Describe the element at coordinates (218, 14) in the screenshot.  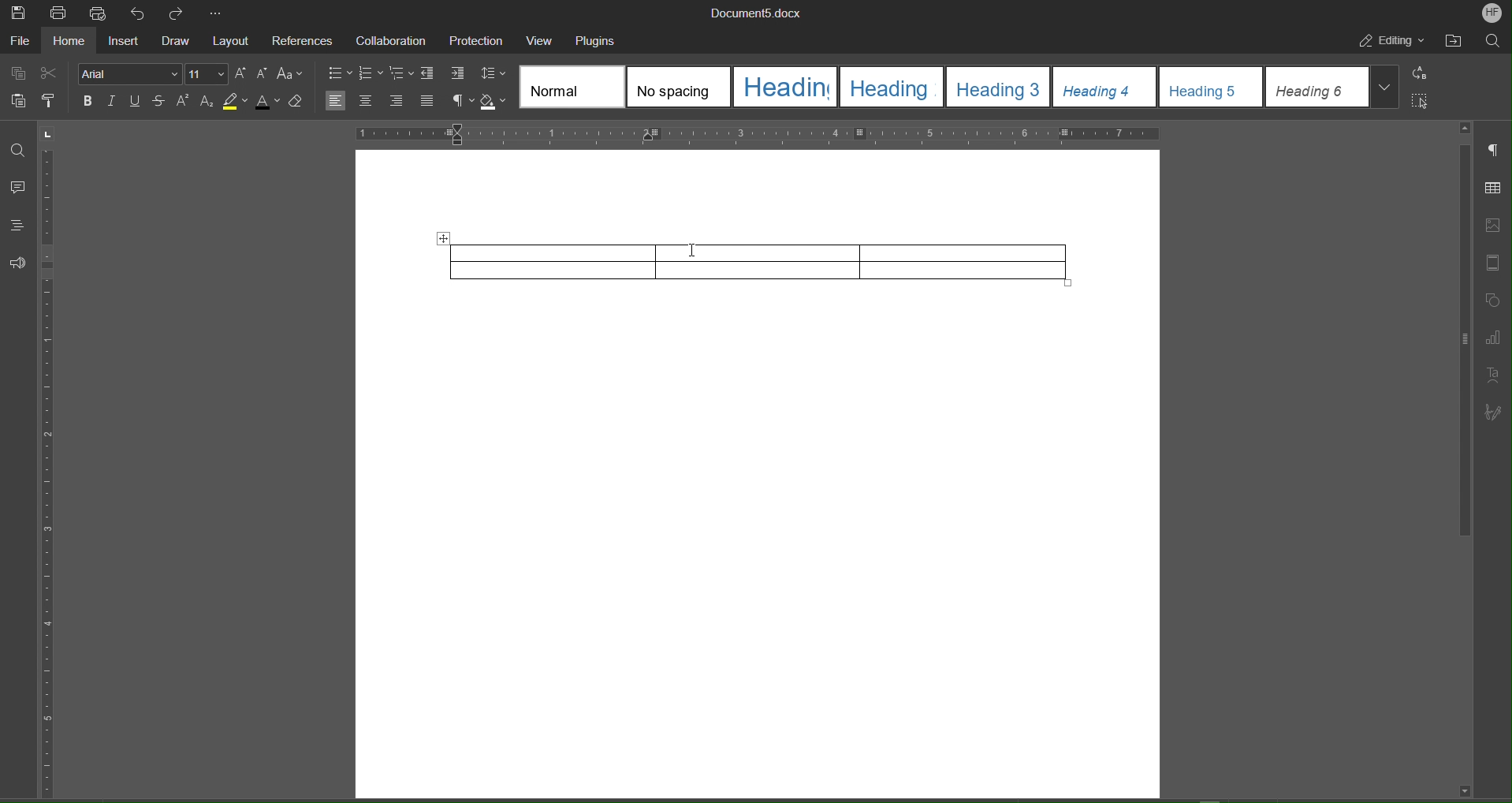
I see `More` at that location.